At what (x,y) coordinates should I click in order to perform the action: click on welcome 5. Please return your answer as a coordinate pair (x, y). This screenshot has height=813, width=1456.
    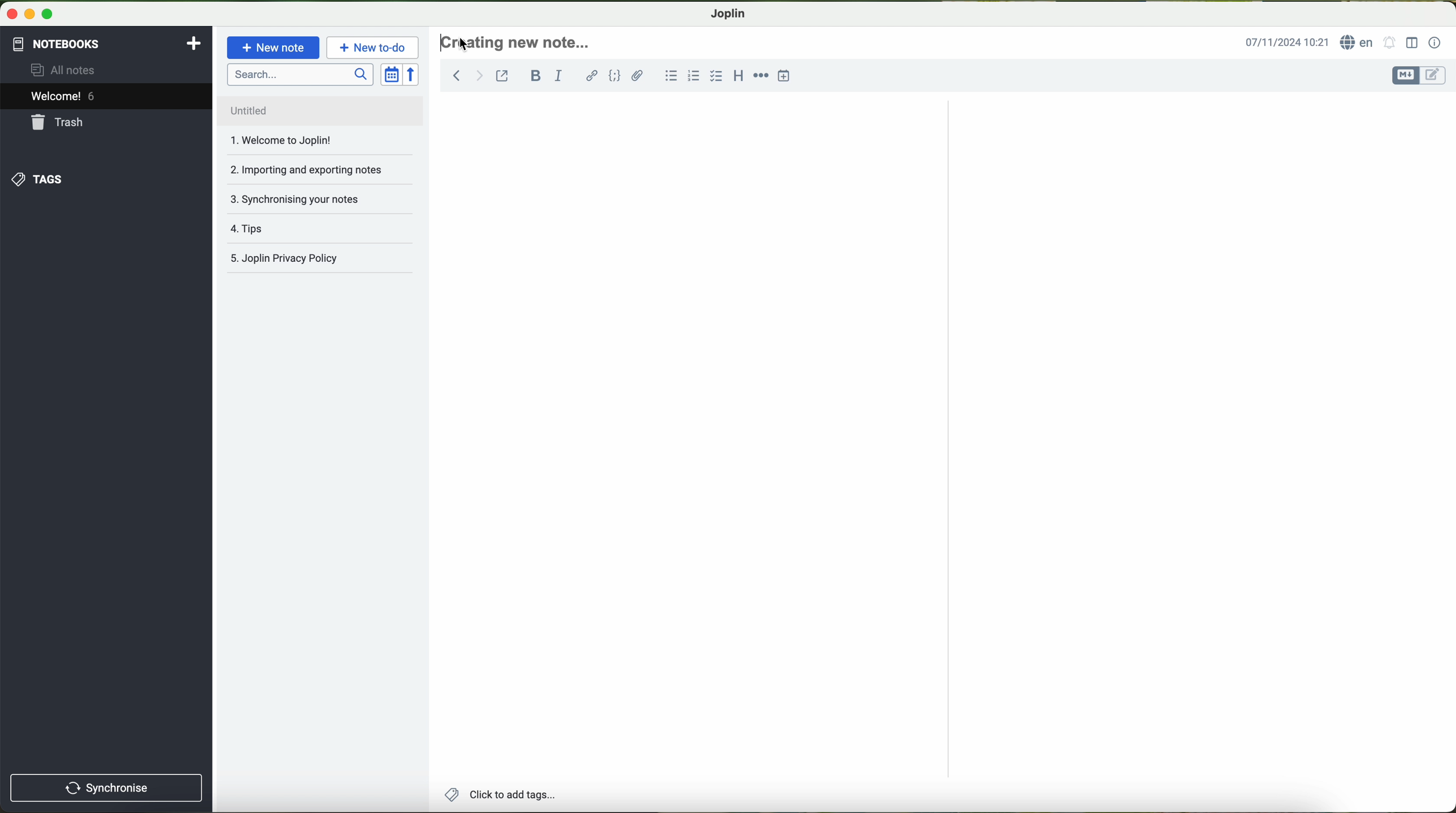
    Looking at the image, I should click on (63, 96).